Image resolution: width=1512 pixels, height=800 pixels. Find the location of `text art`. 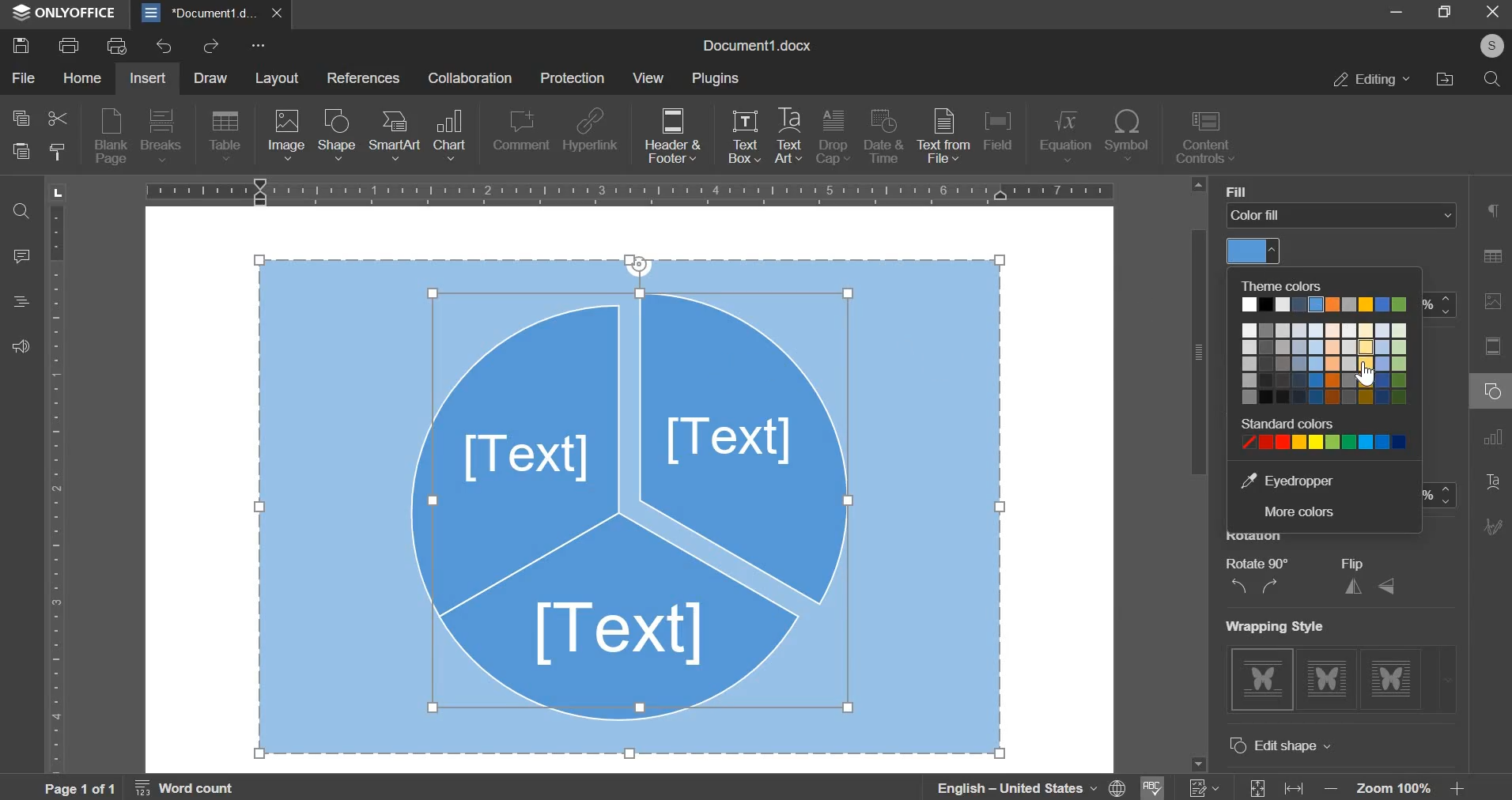

text art is located at coordinates (788, 139).